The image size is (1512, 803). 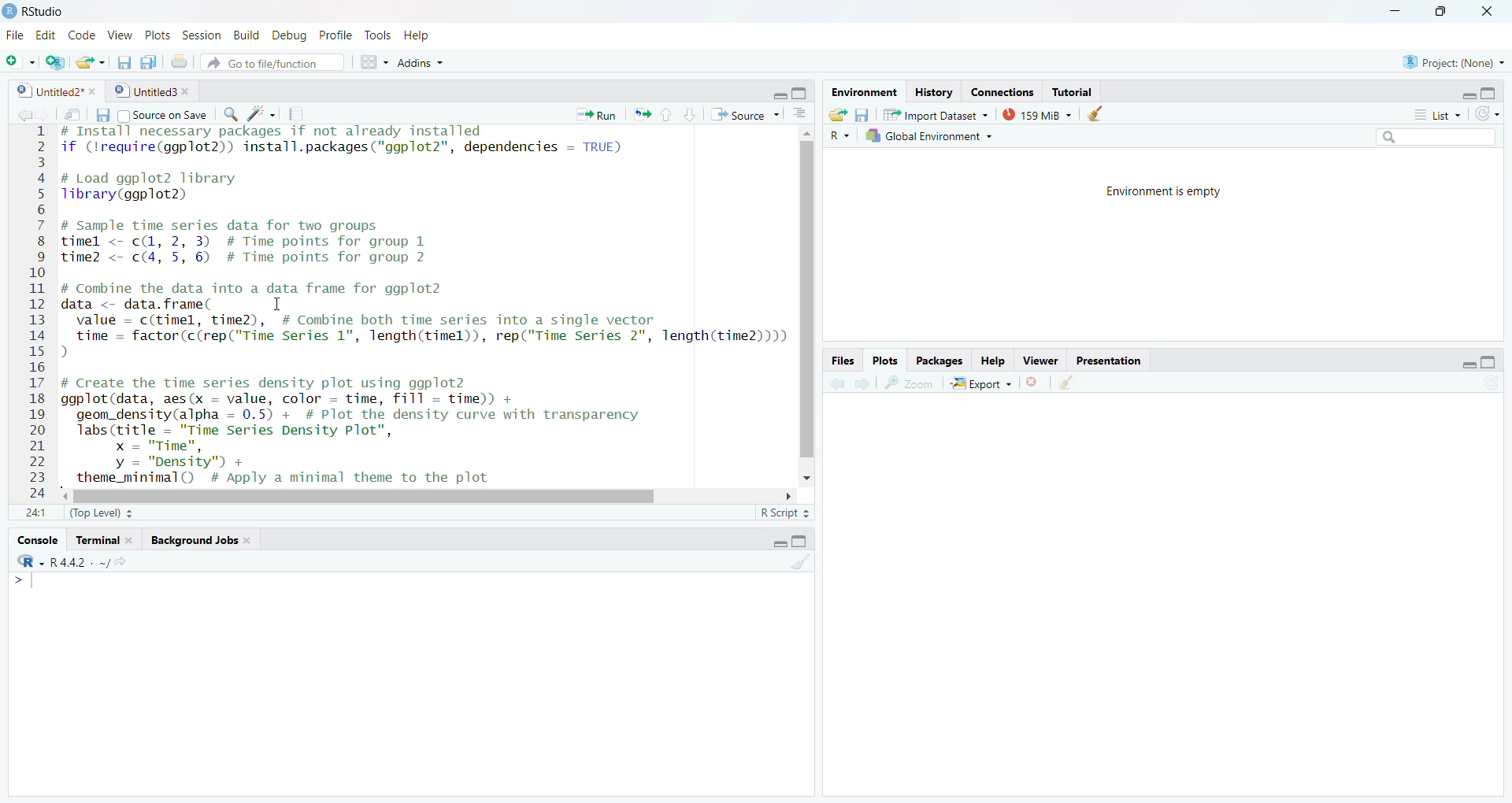 What do you see at coordinates (1488, 115) in the screenshot?
I see `Refresh` at bounding box center [1488, 115].